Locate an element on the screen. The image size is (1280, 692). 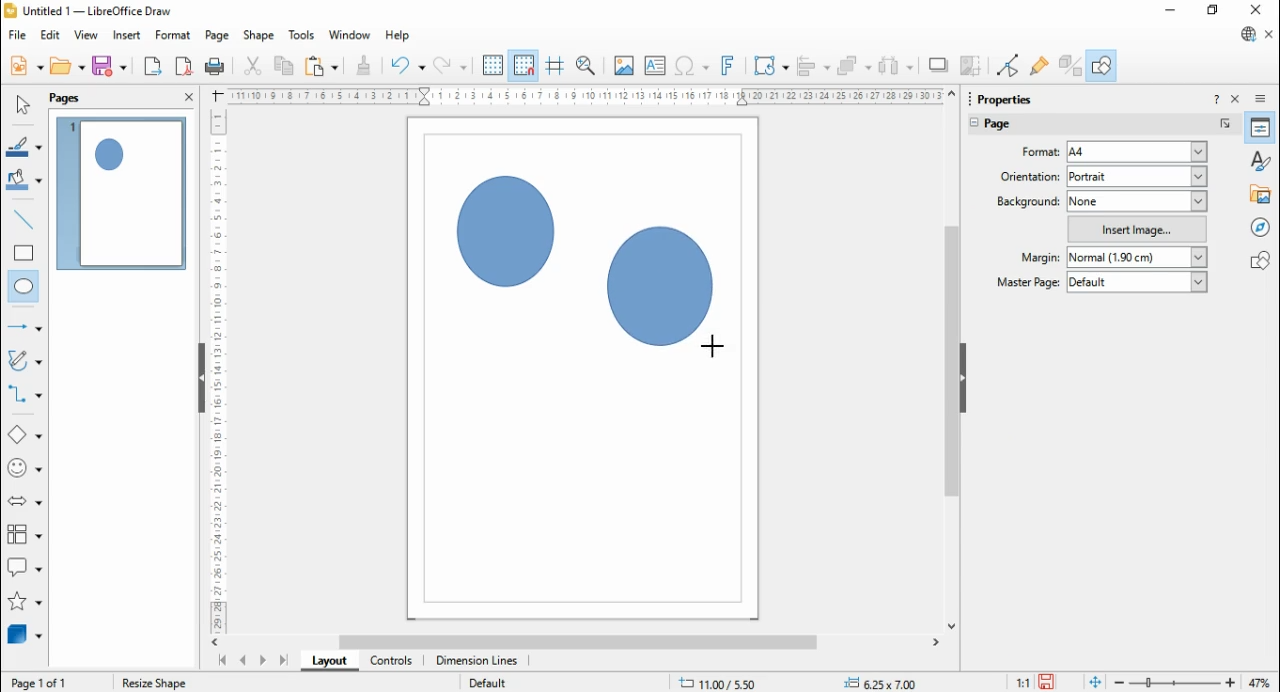
show draw functions is located at coordinates (1101, 65).